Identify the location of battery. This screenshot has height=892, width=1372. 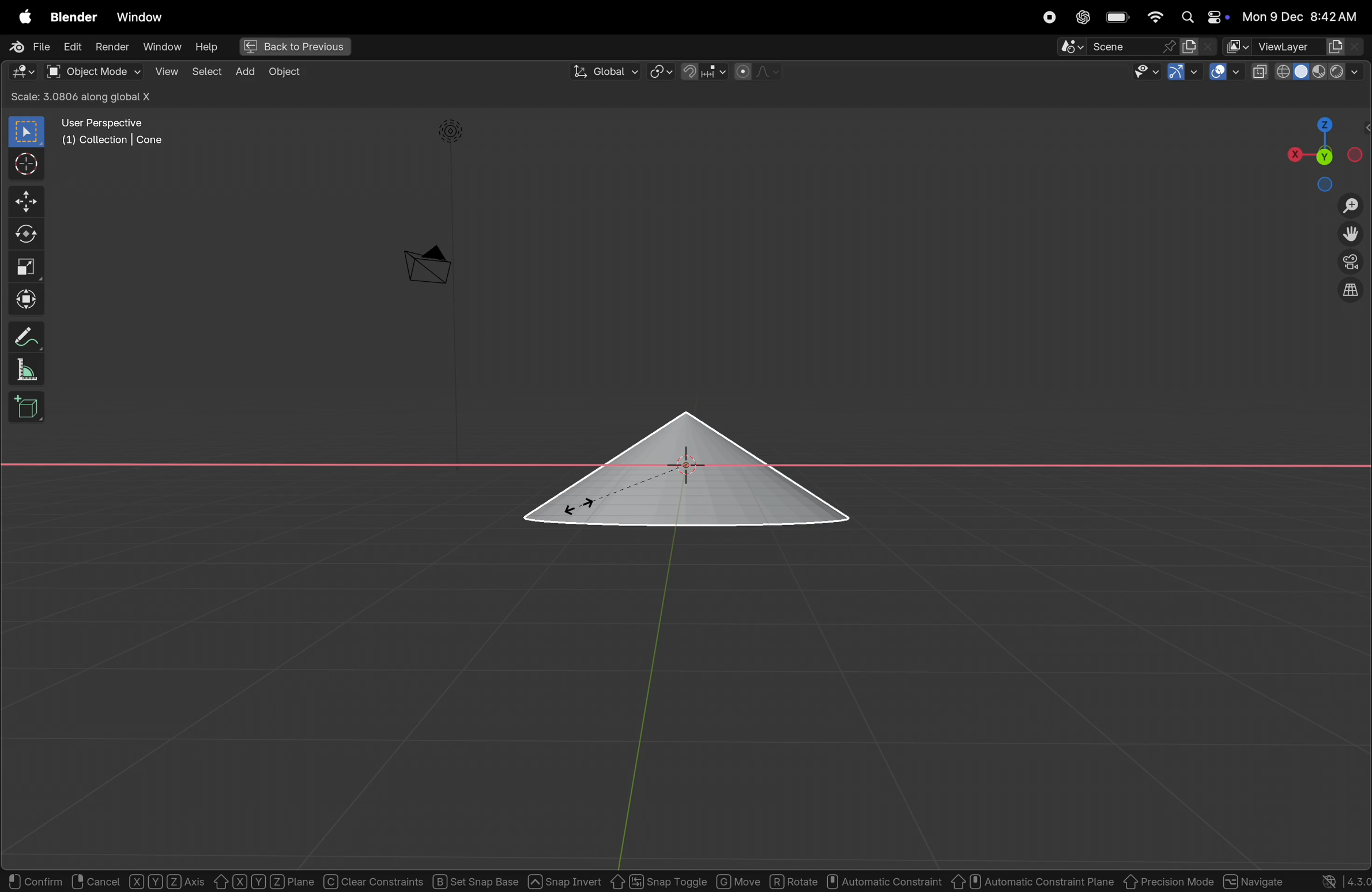
(1118, 17).